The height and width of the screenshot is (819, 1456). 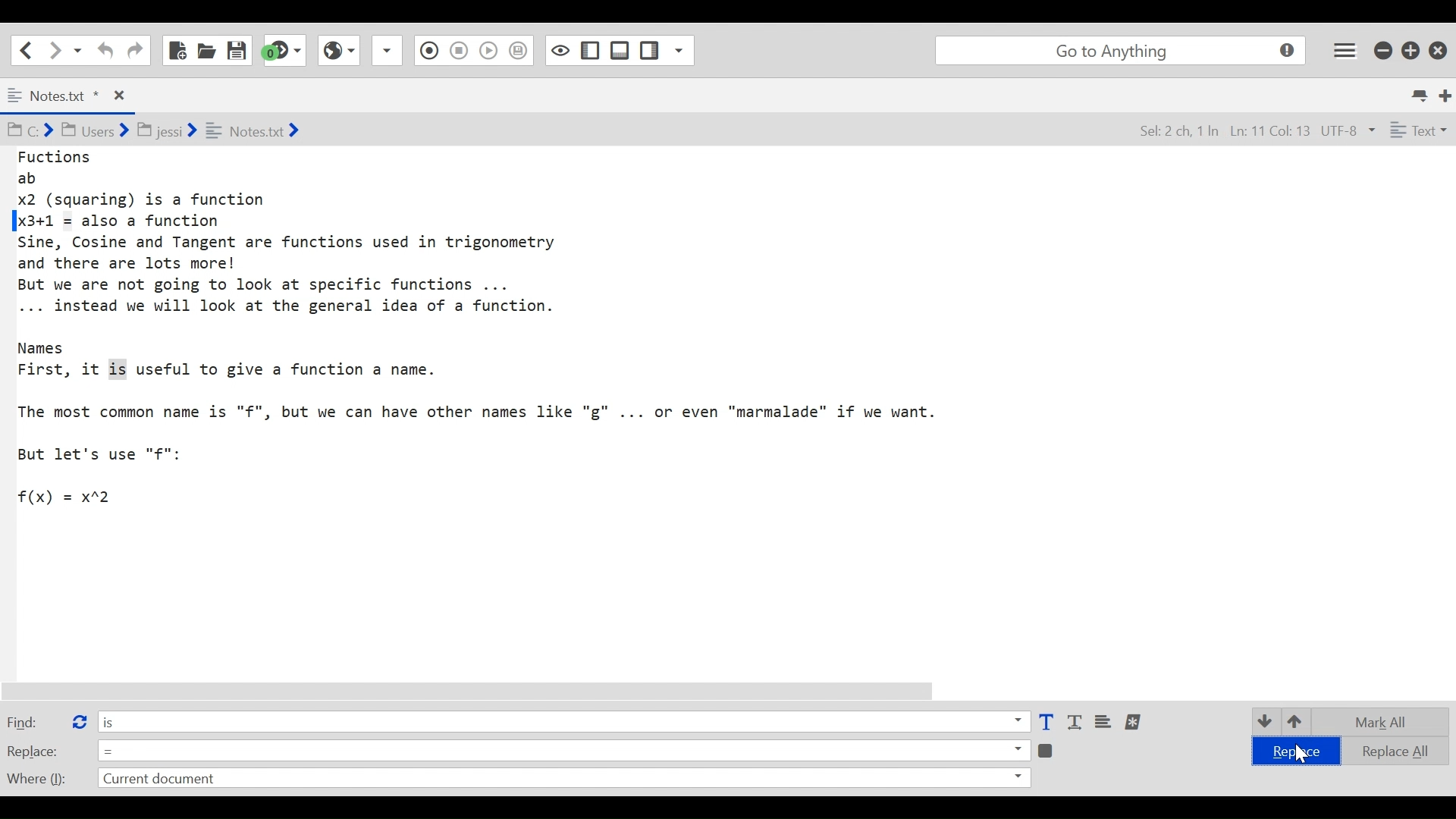 I want to click on Show/Hide Right pane, so click(x=559, y=49).